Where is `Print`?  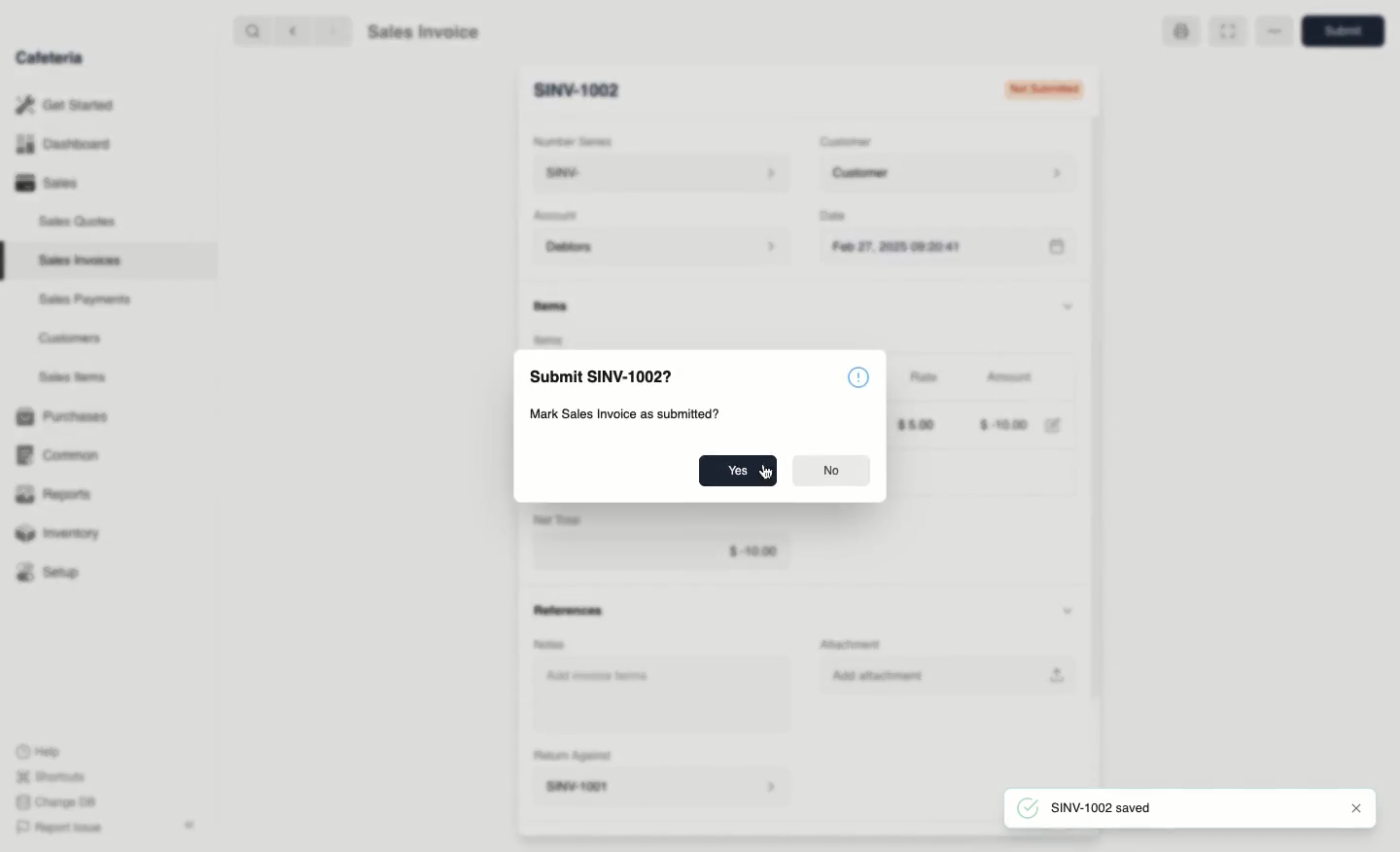 Print is located at coordinates (1179, 31).